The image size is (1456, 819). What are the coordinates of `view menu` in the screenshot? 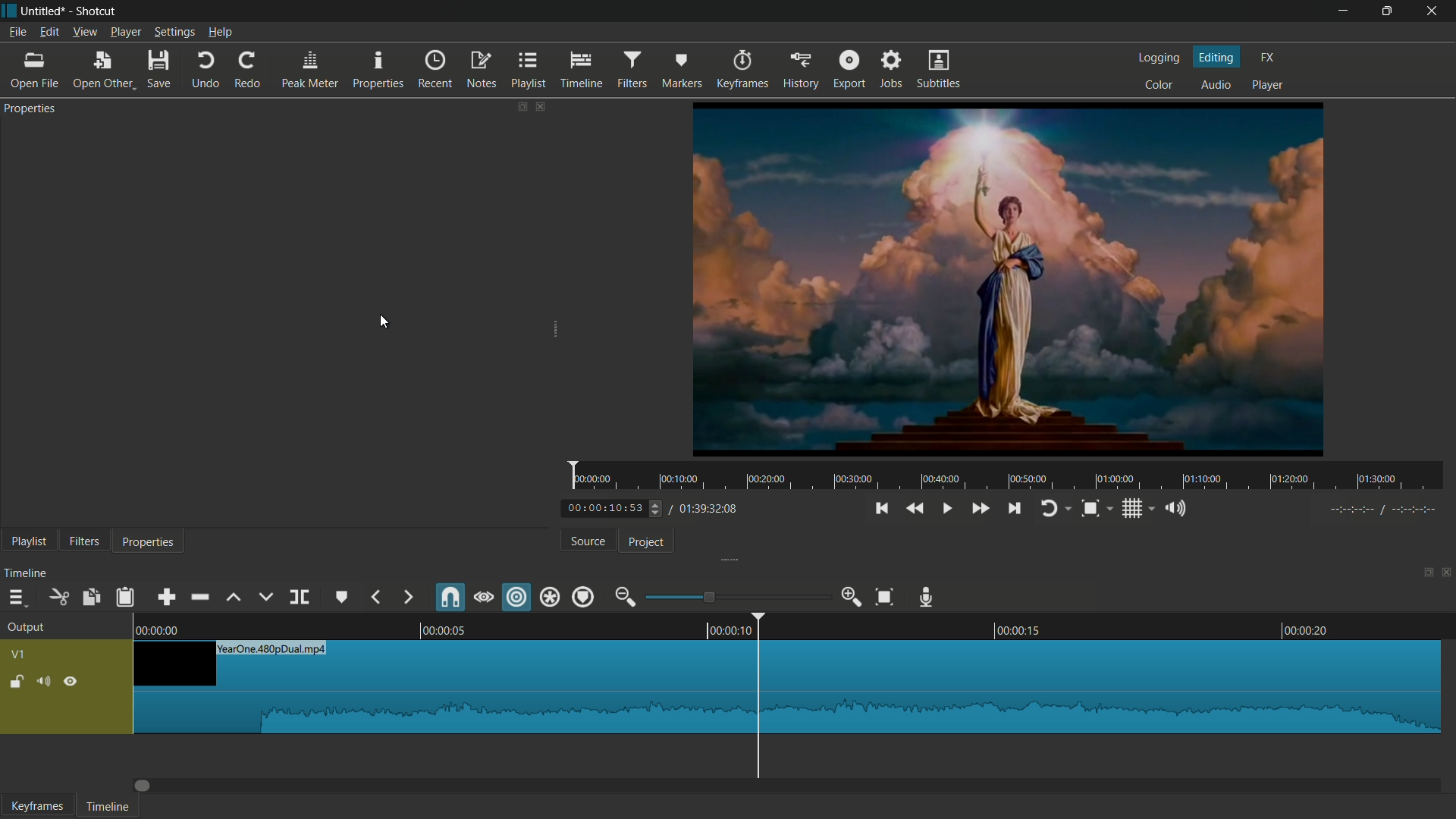 It's located at (85, 33).